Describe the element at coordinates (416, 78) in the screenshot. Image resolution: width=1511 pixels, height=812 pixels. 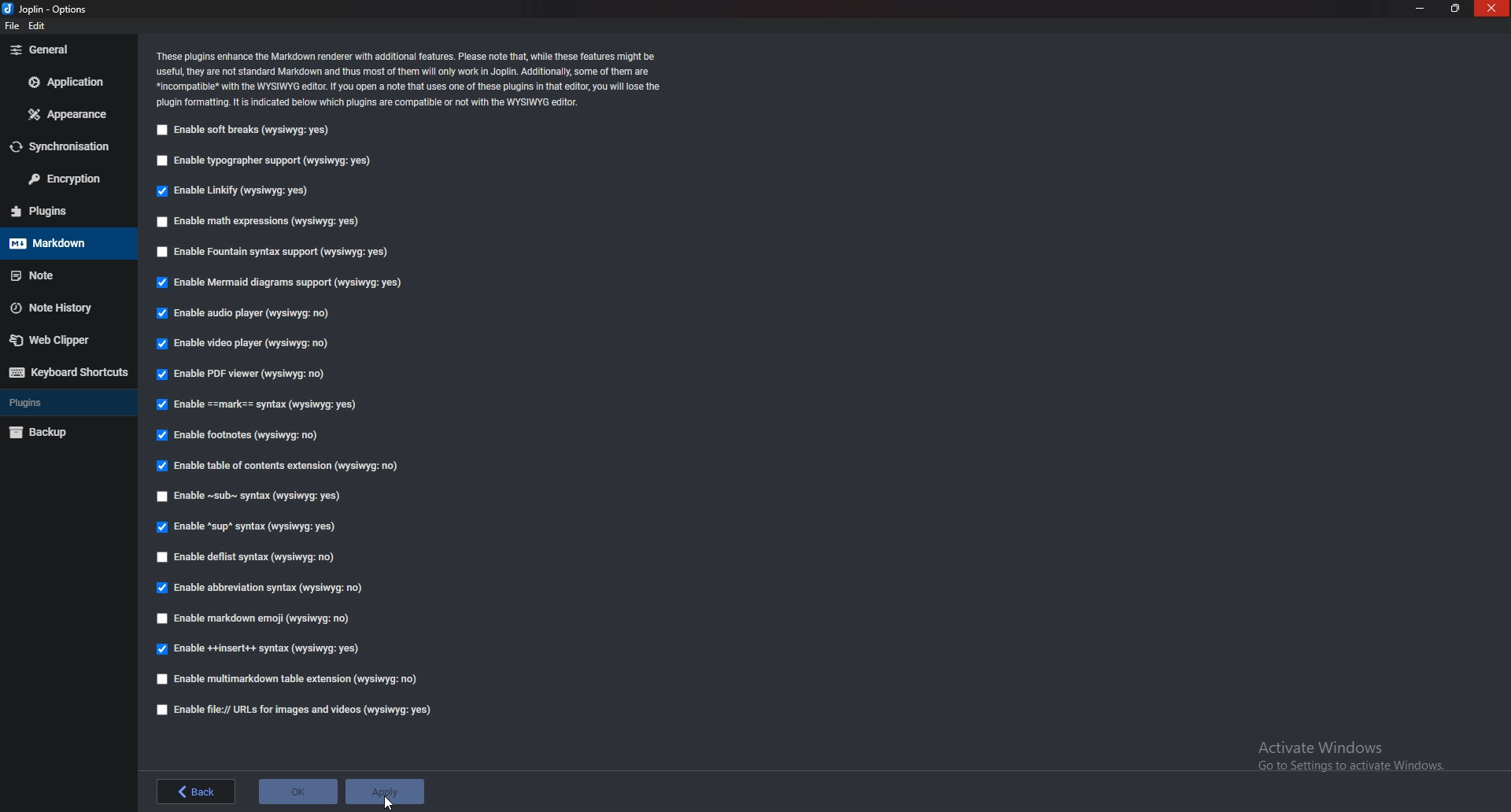
I see `Info` at that location.